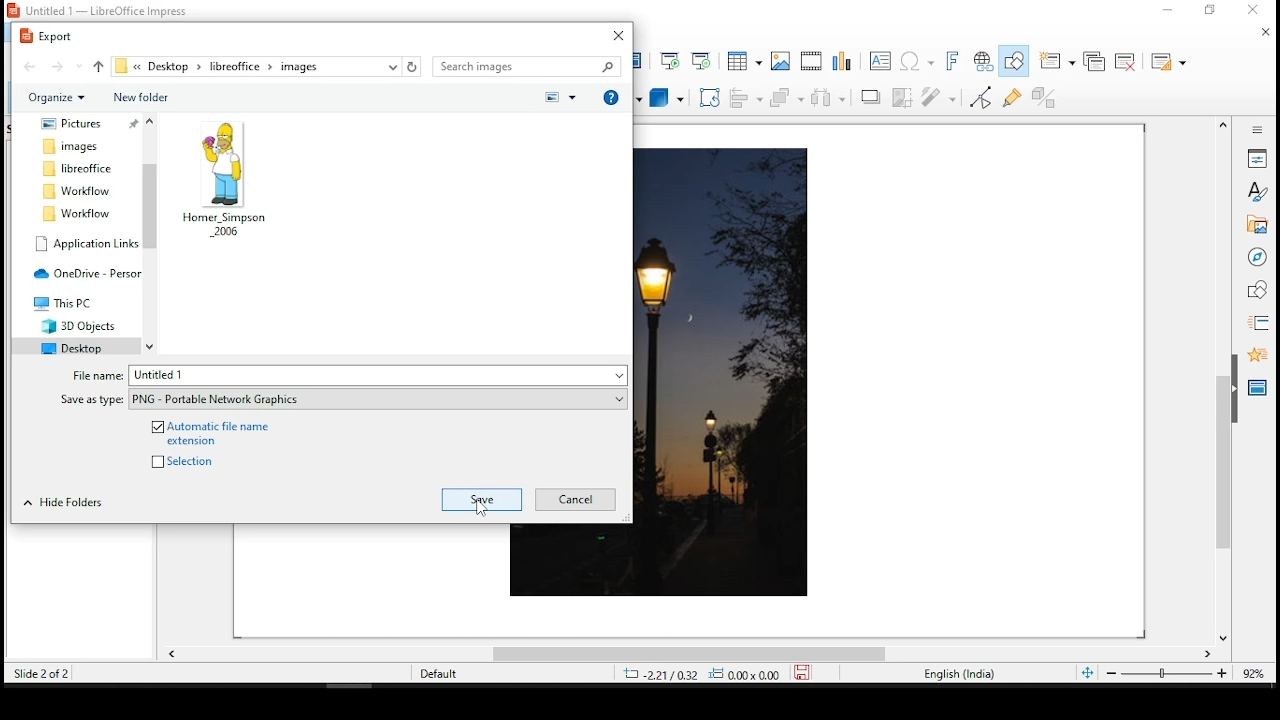 The image size is (1280, 720). Describe the element at coordinates (1223, 381) in the screenshot. I see `scroll bar` at that location.